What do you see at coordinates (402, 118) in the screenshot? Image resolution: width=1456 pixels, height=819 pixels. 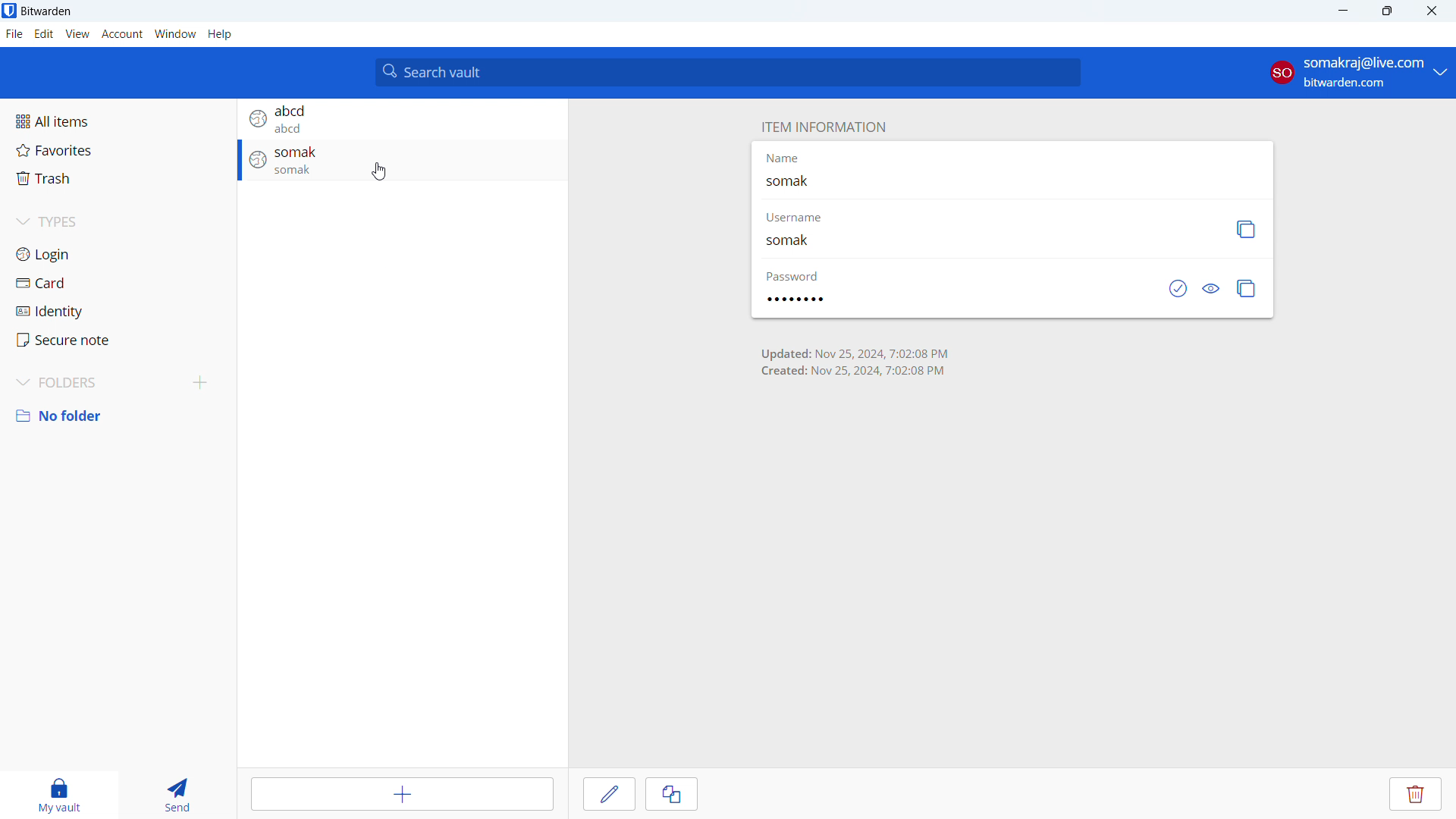 I see `login entry with name abcd` at bounding box center [402, 118].